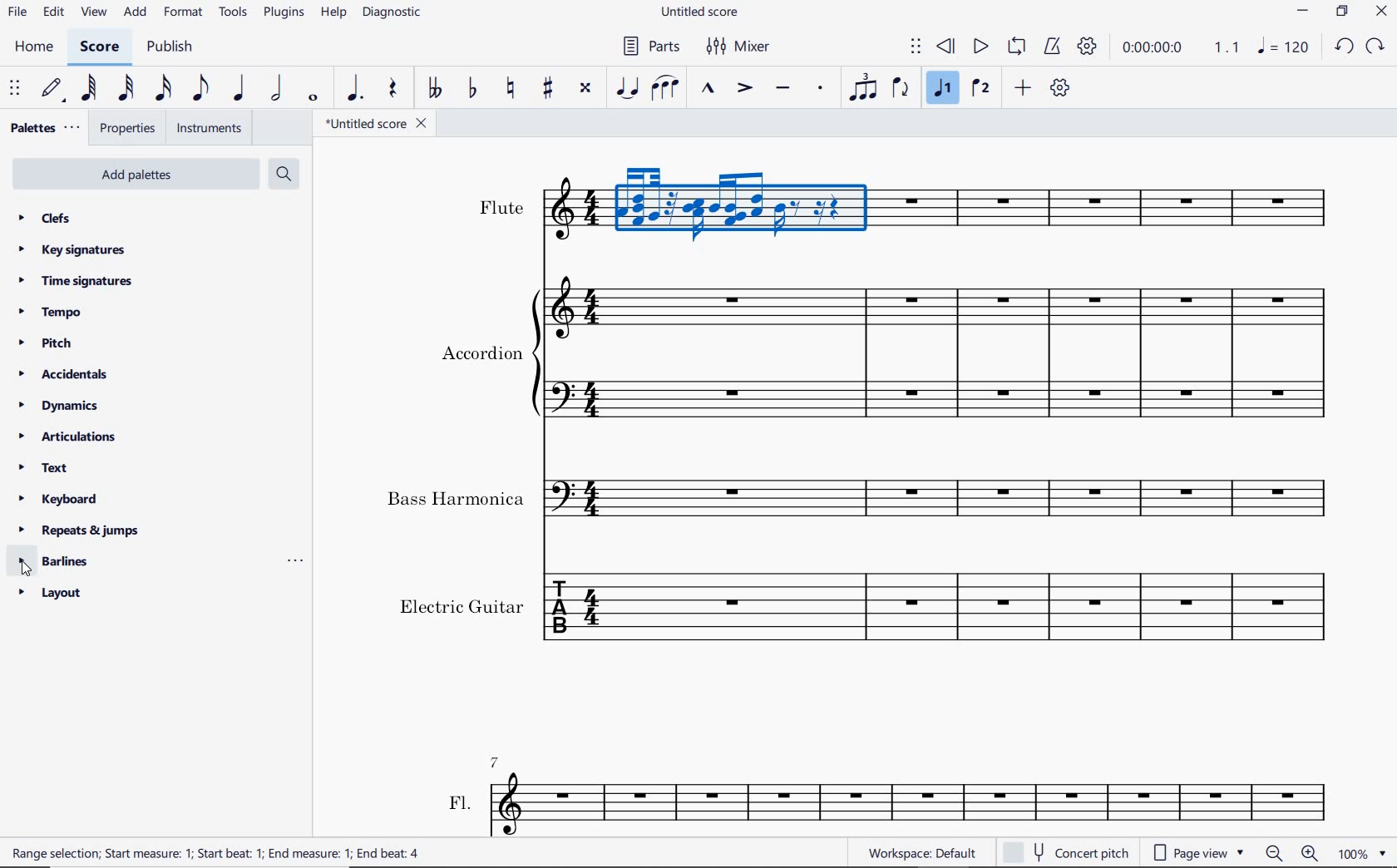  I want to click on clefs, so click(42, 217).